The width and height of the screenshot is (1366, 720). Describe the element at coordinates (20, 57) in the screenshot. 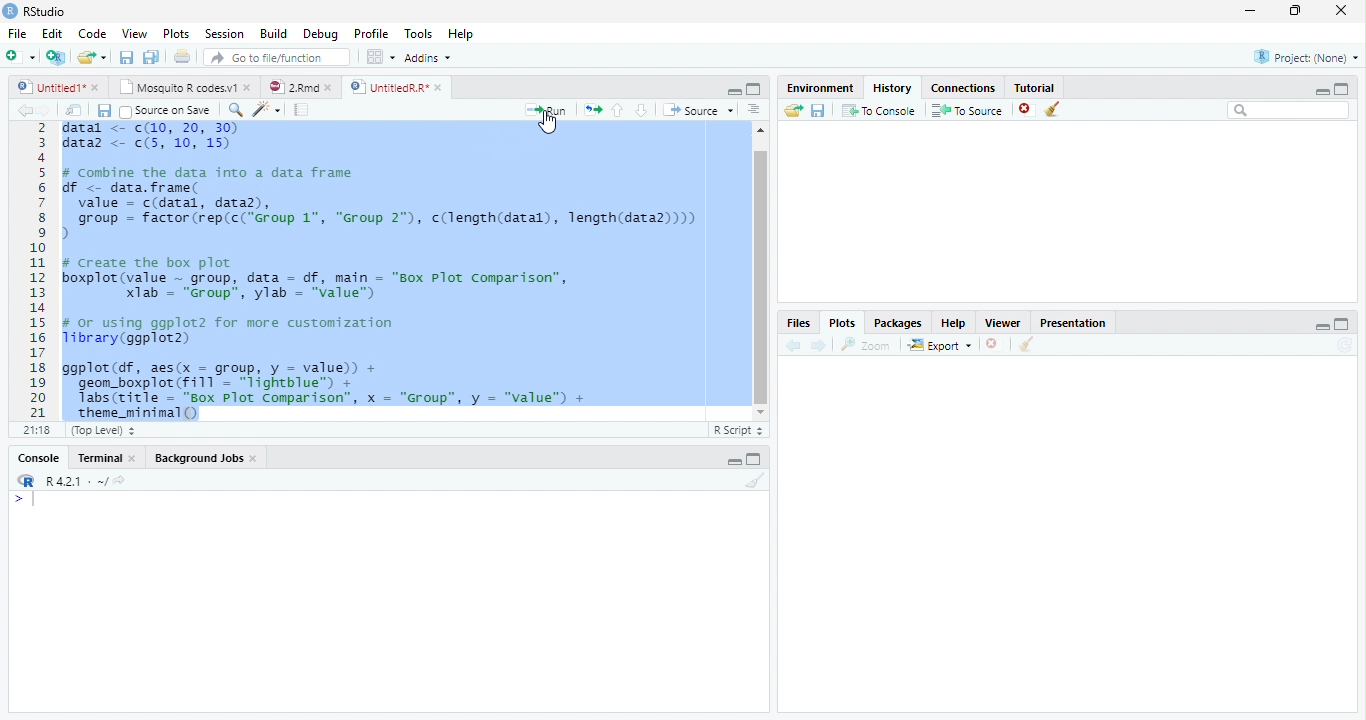

I see `New file` at that location.